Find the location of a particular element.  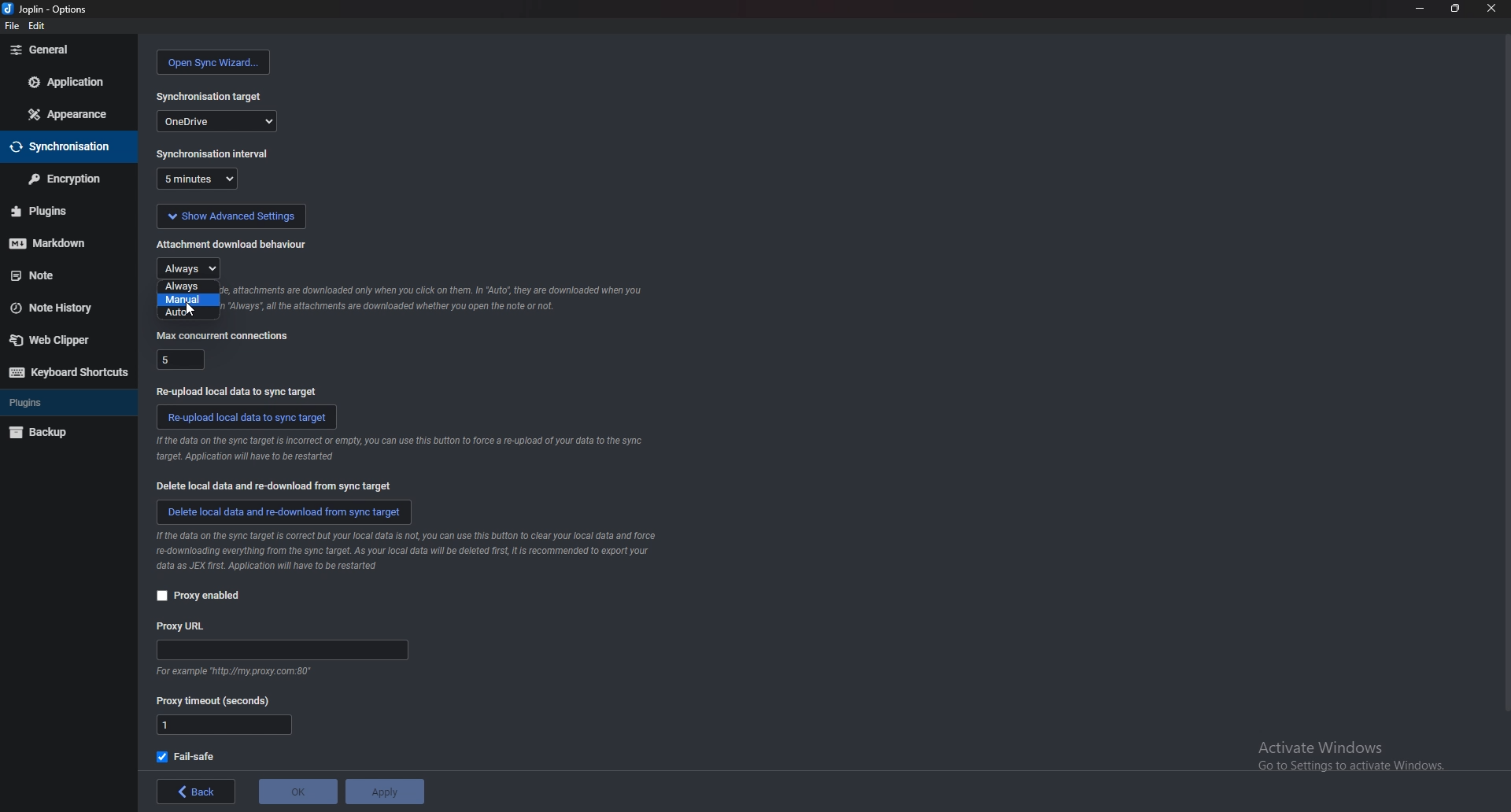

ok is located at coordinates (297, 792).